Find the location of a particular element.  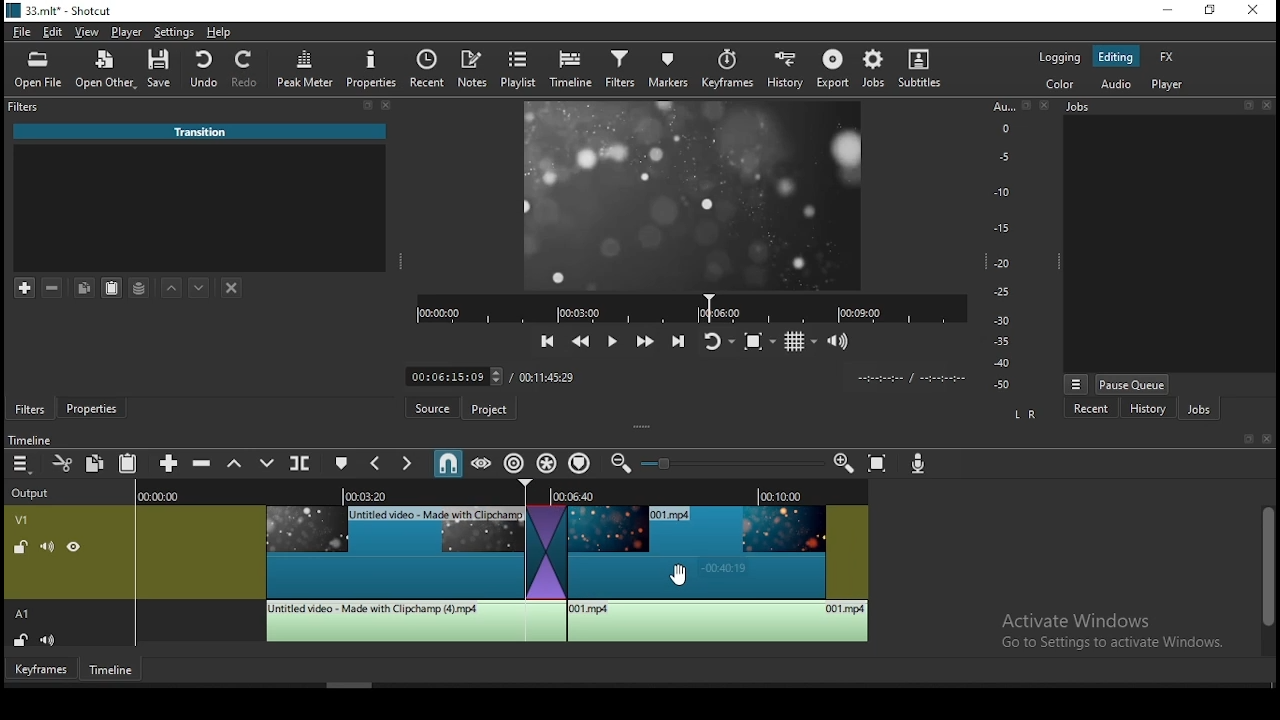

settings is located at coordinates (172, 33).